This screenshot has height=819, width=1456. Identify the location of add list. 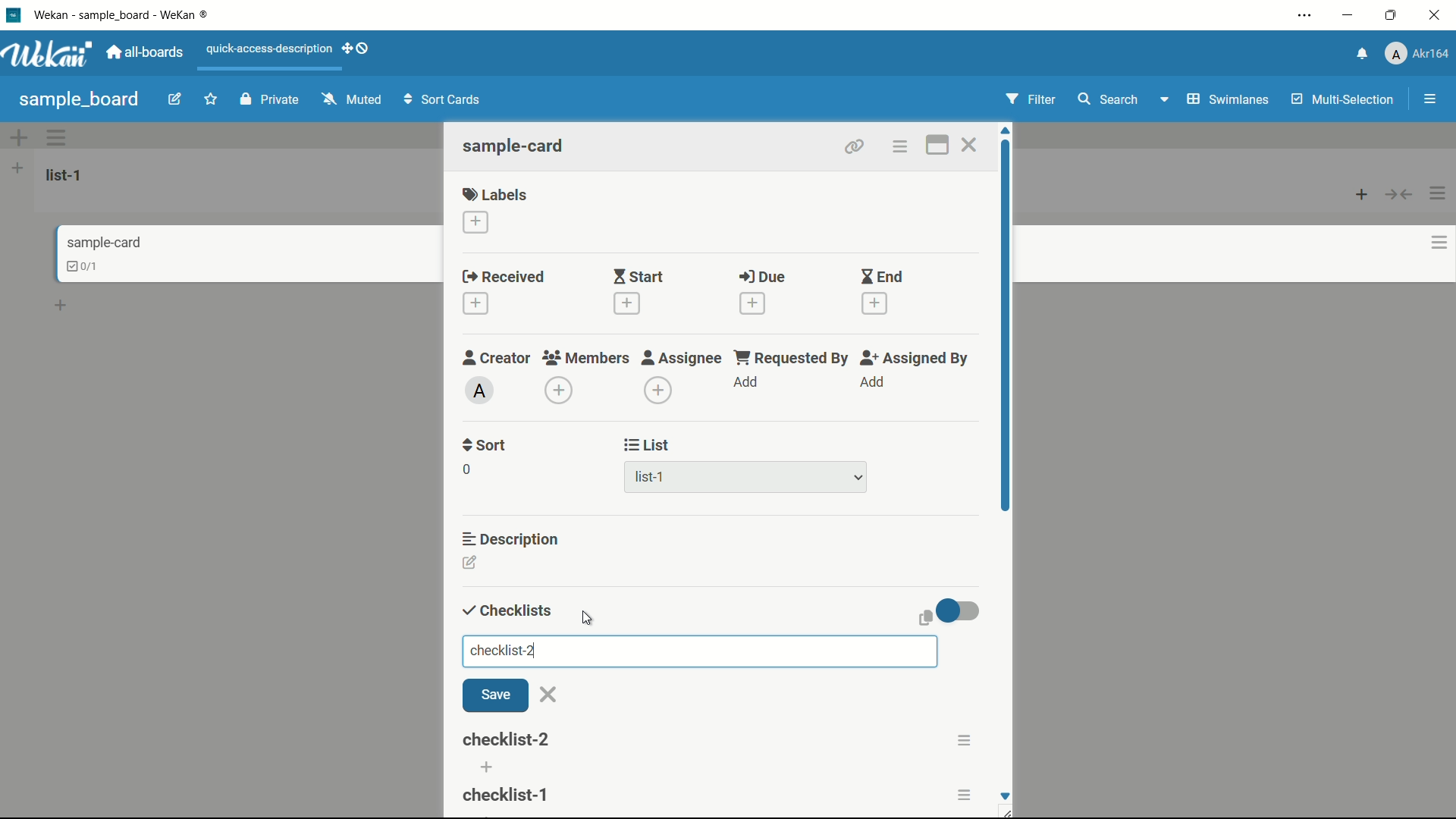
(17, 168).